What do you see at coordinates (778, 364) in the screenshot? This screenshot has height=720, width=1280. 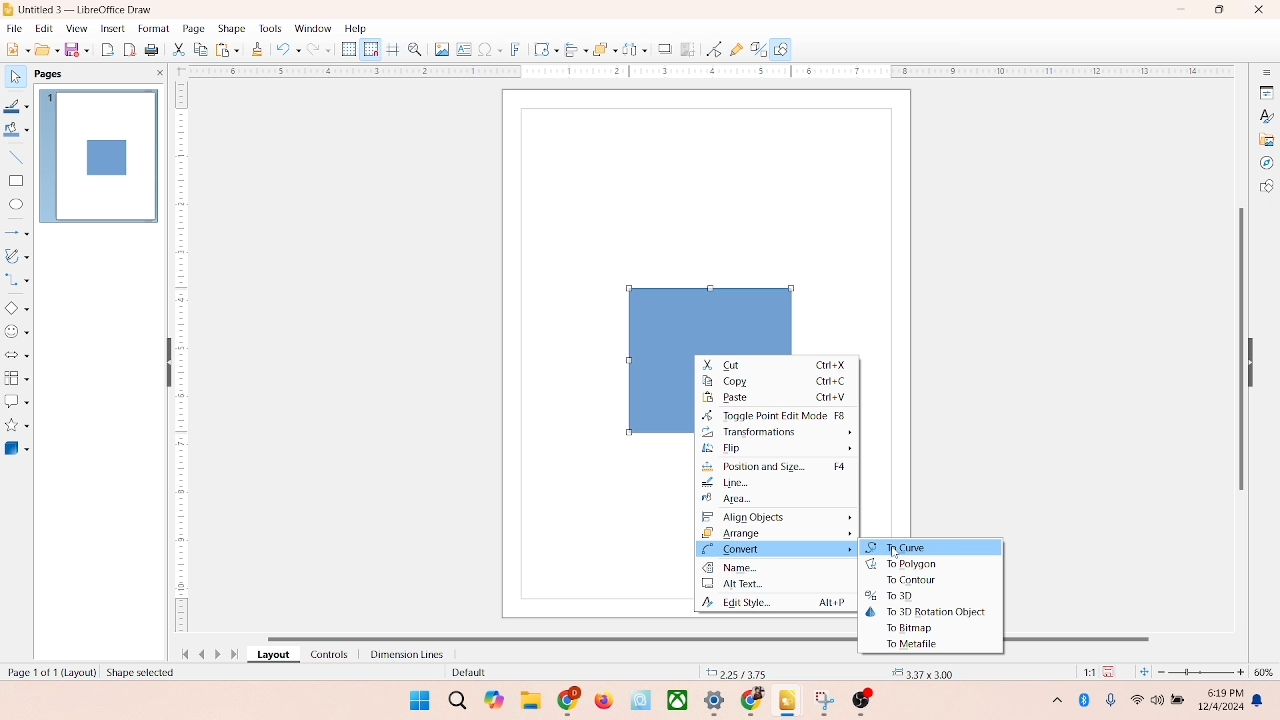 I see `cut` at bounding box center [778, 364].